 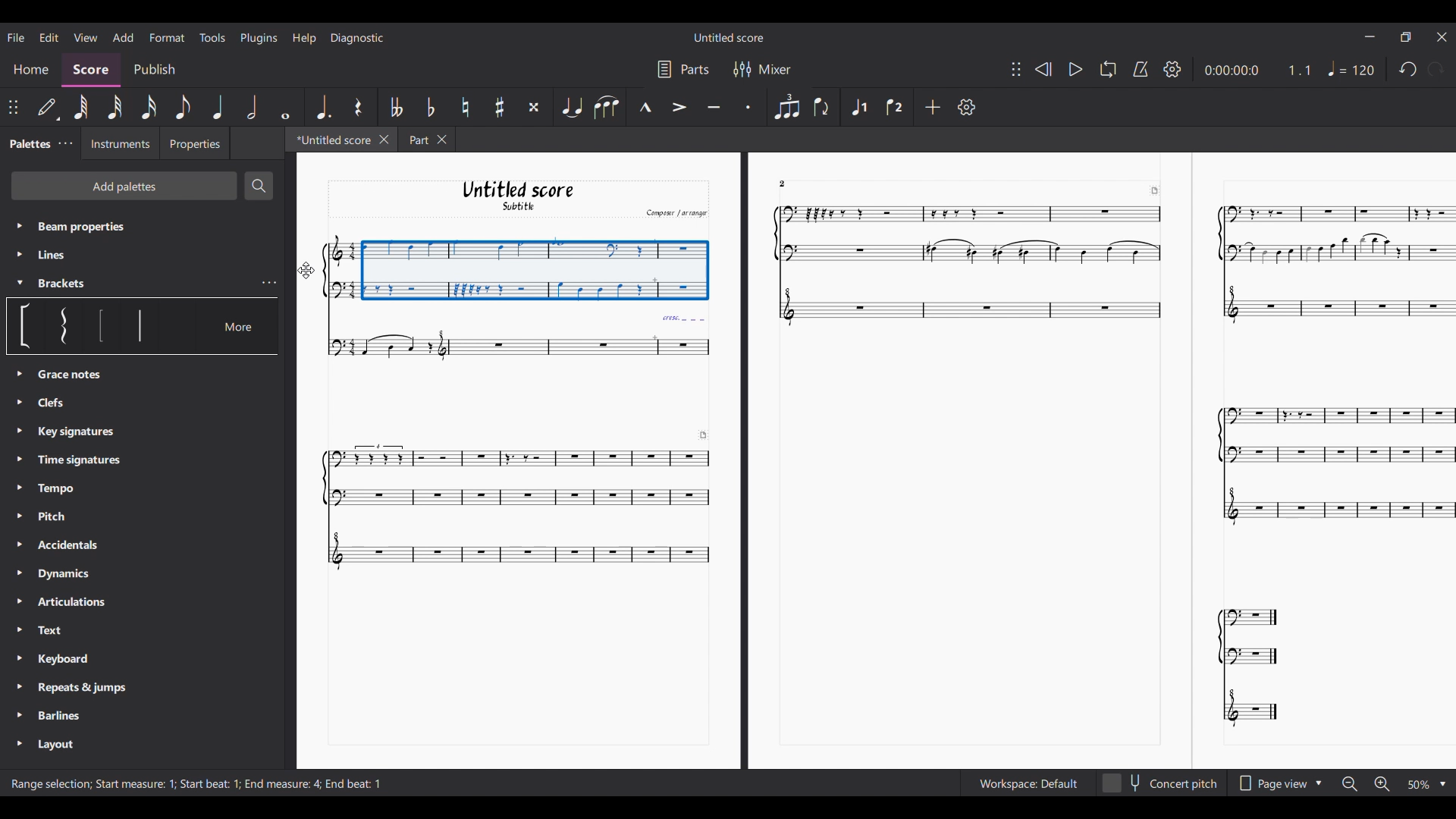 I want to click on Score , so click(x=92, y=71).